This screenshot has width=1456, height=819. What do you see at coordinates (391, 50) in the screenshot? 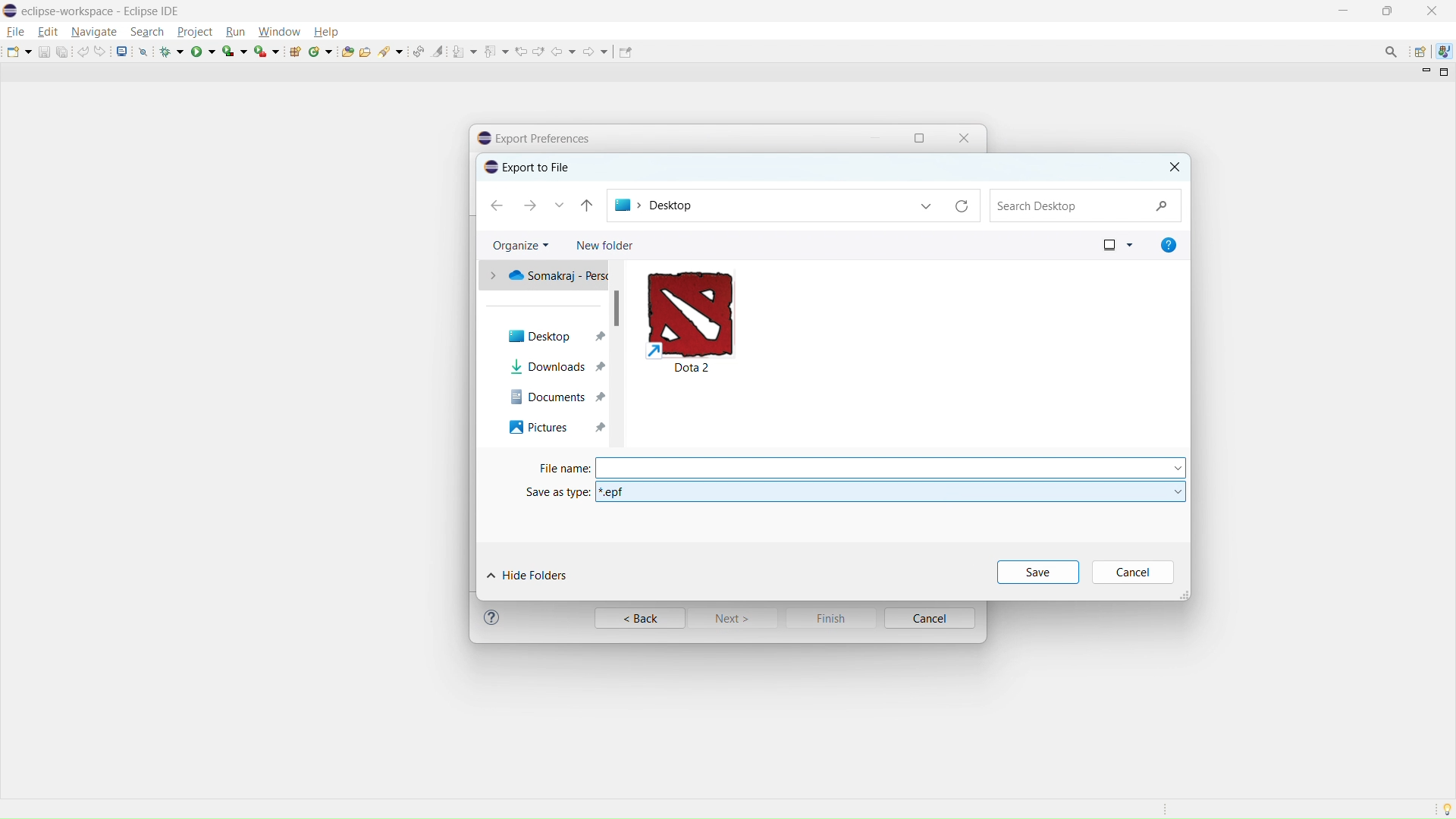
I see `search` at bounding box center [391, 50].